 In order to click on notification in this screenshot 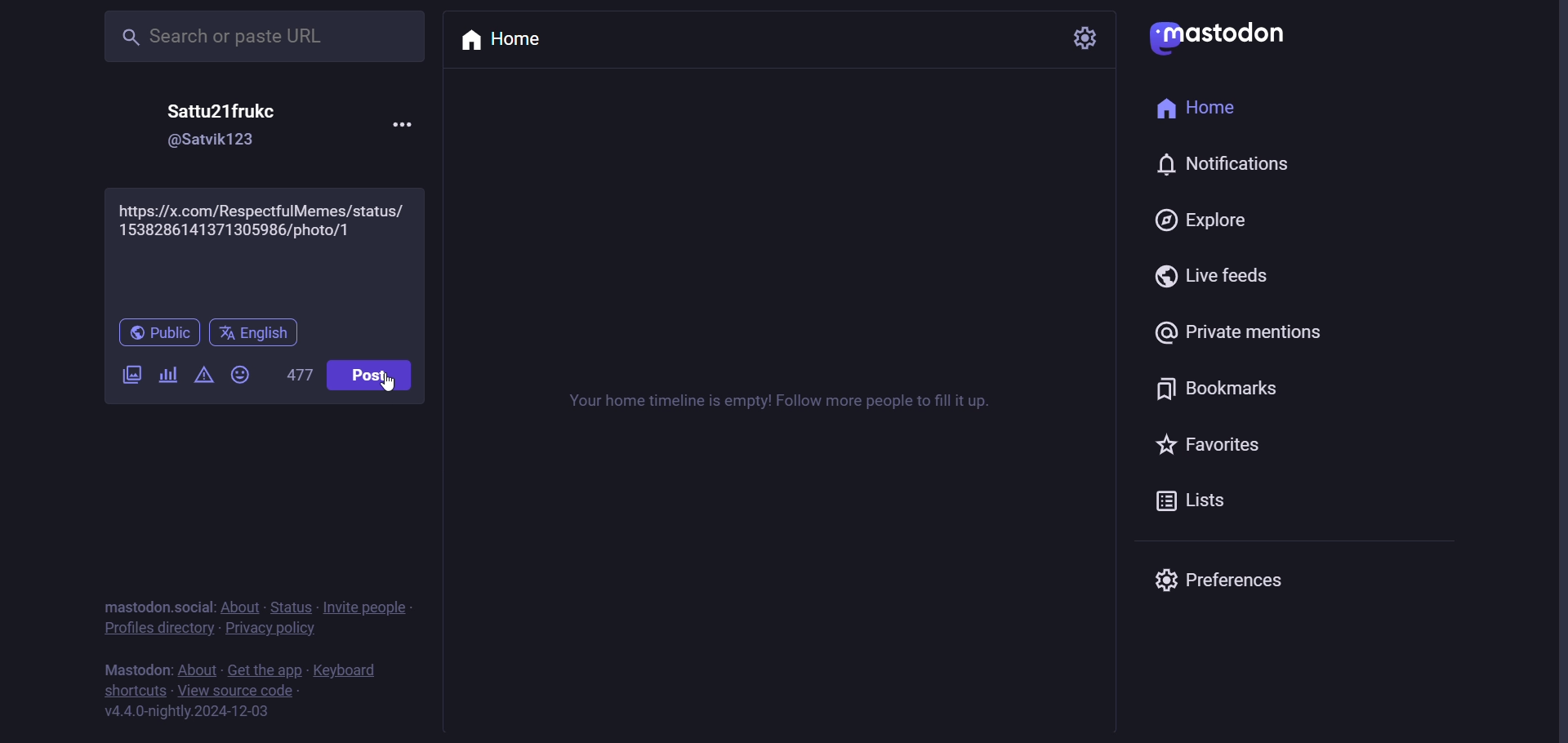, I will do `click(1226, 167)`.